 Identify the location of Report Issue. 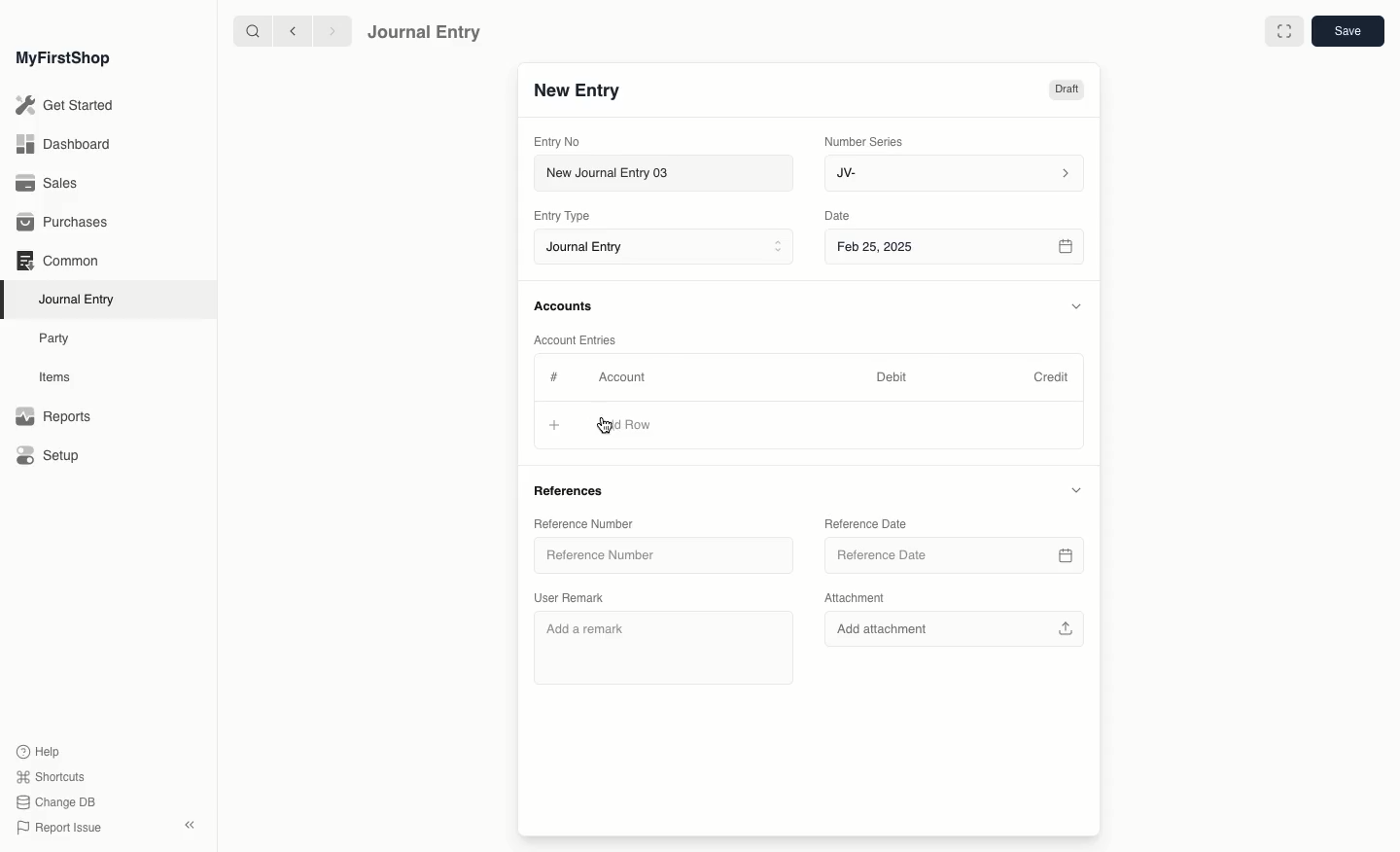
(57, 828).